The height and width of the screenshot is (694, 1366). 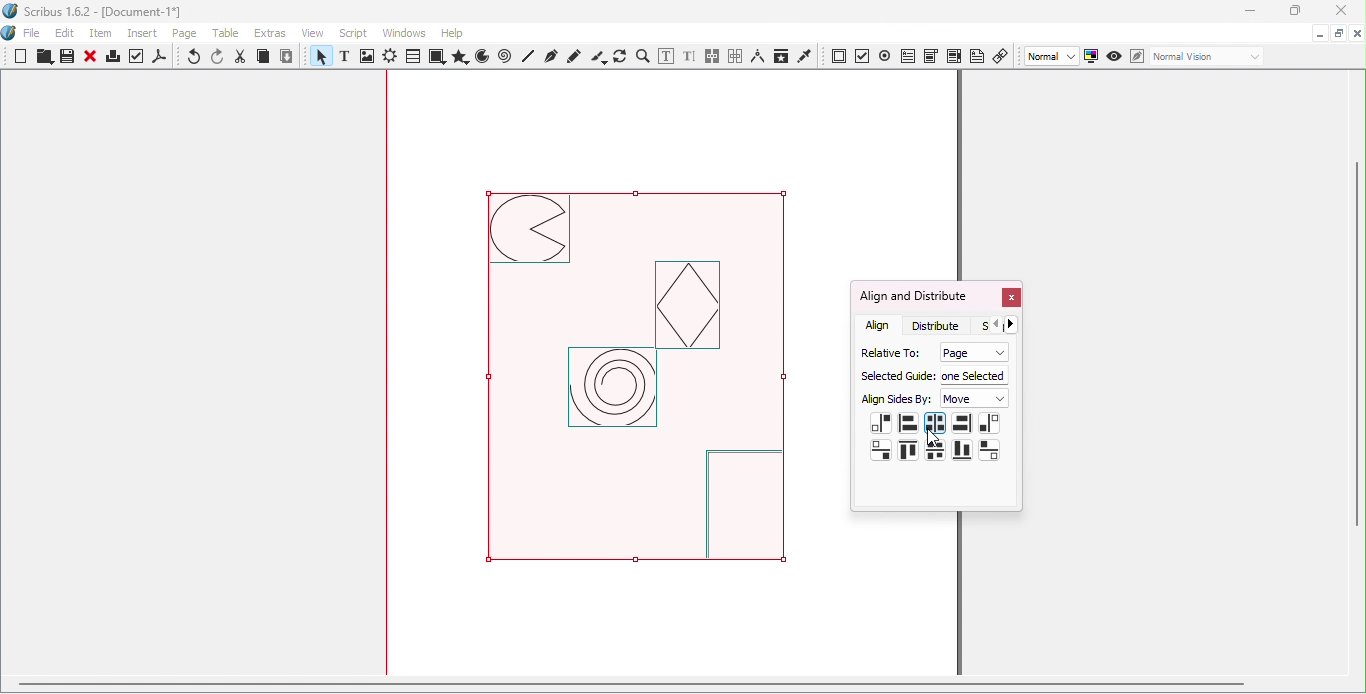 I want to click on Align bottoms, so click(x=961, y=450).